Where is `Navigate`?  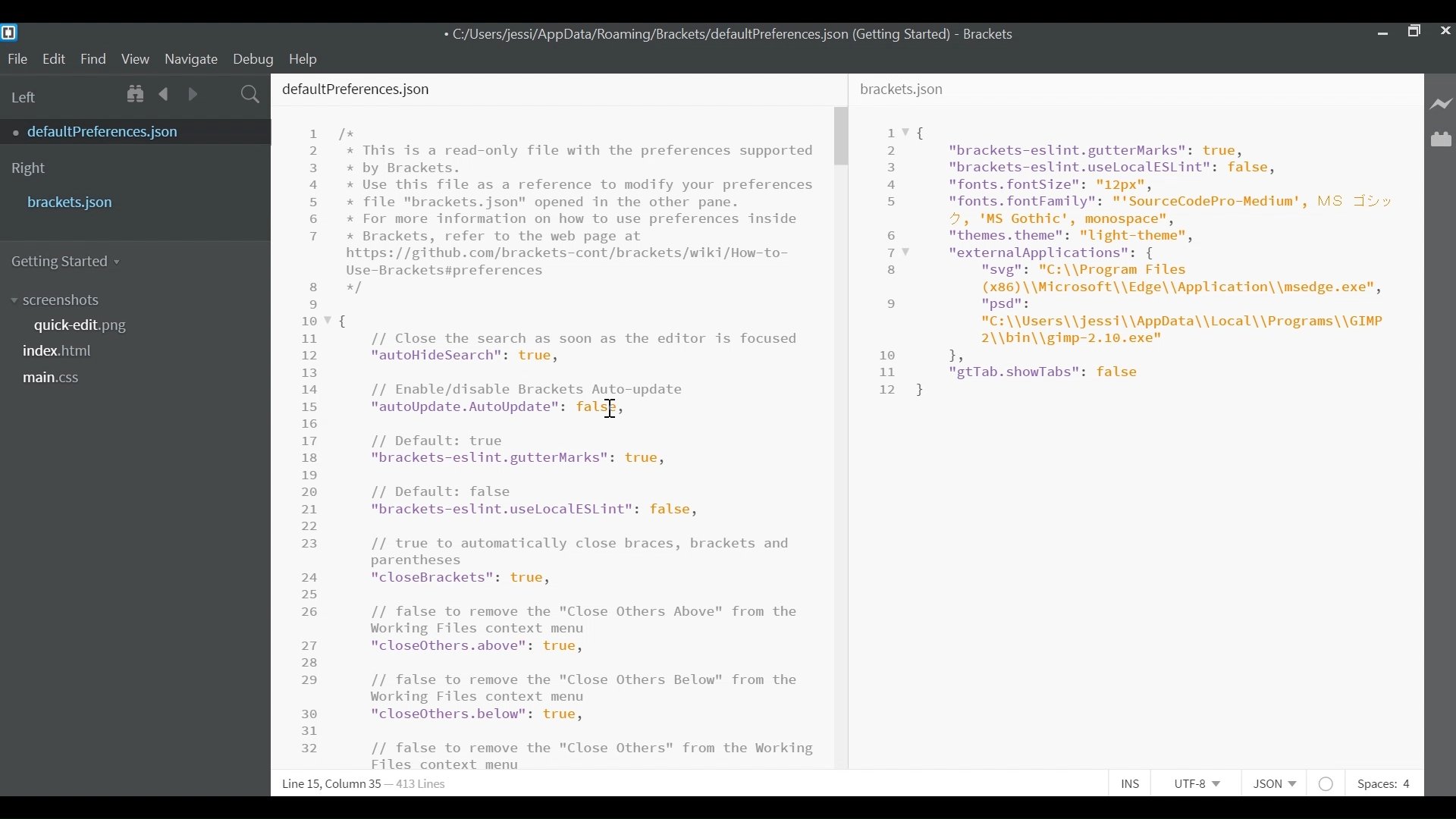
Navigate is located at coordinates (192, 58).